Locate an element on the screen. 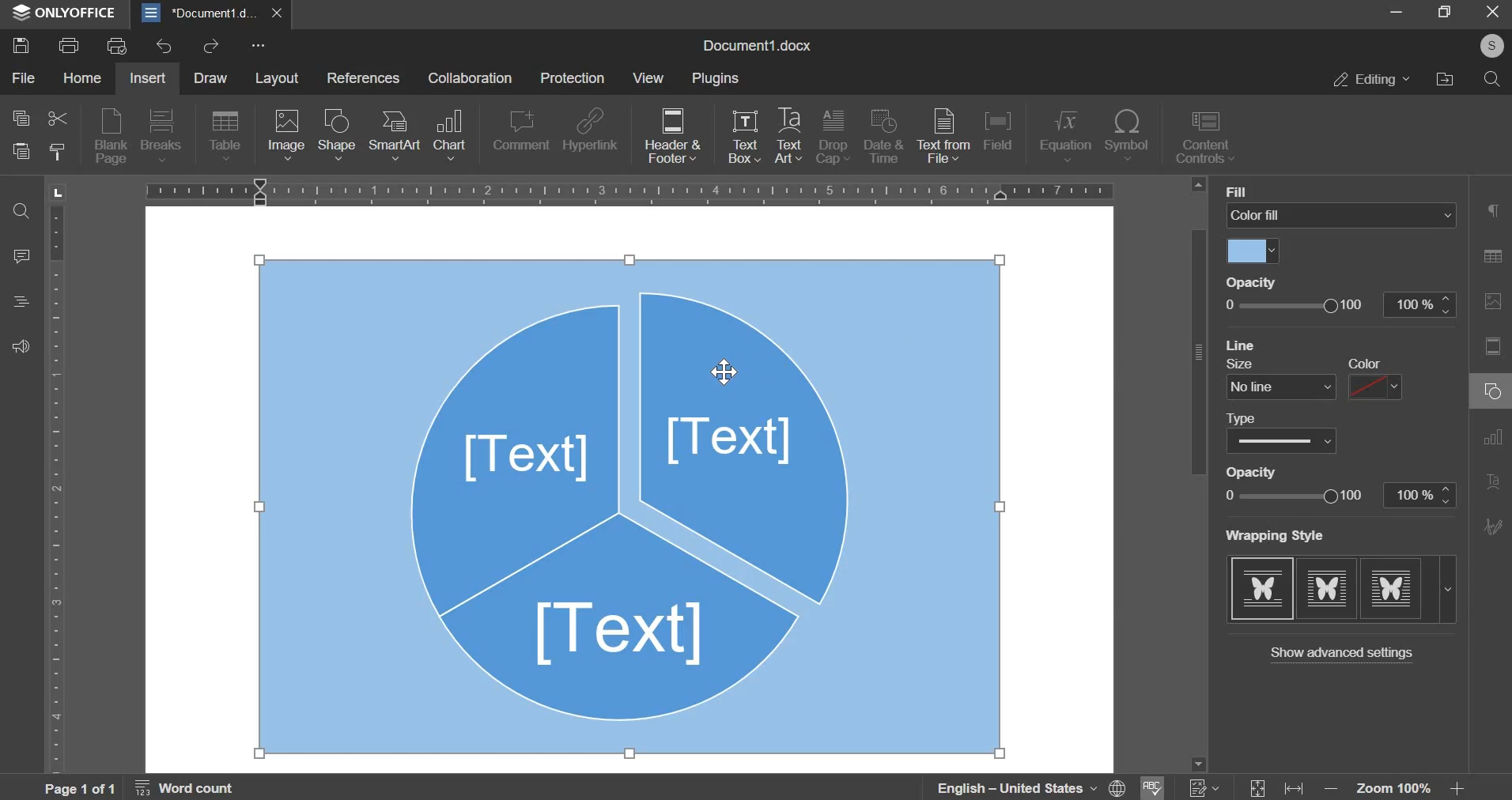 Image resolution: width=1512 pixels, height=800 pixels. track changes is located at coordinates (1202, 787).